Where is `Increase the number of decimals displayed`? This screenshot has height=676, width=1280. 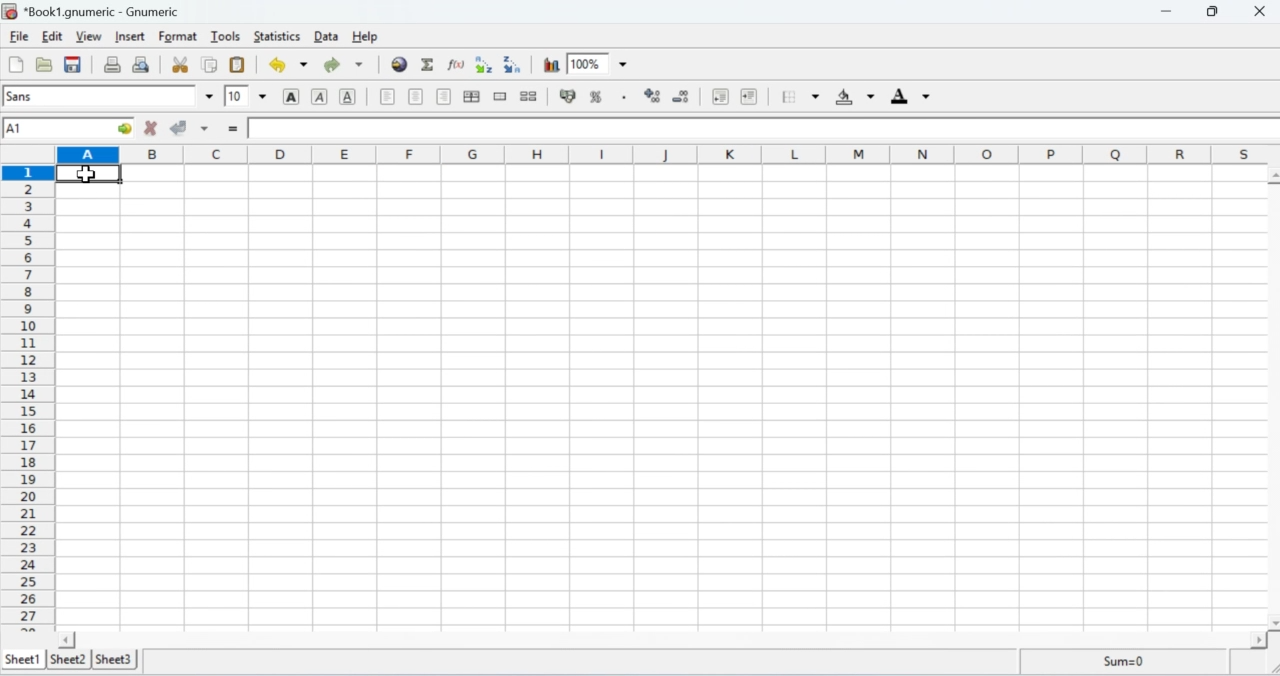 Increase the number of decimals displayed is located at coordinates (650, 93).